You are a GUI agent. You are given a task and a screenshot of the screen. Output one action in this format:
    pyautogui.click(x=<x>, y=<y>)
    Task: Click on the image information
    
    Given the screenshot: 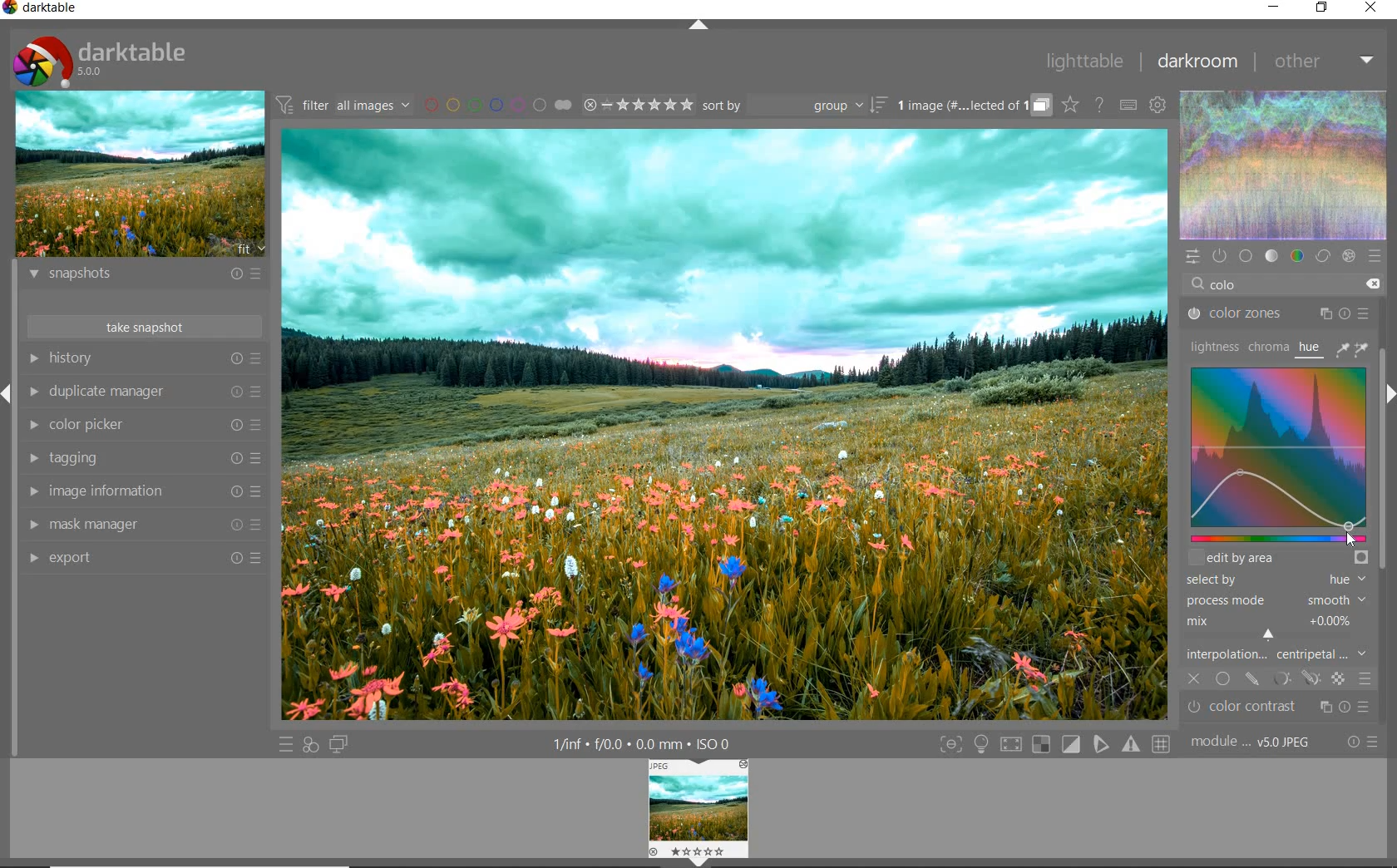 What is the action you would take?
    pyautogui.click(x=141, y=492)
    